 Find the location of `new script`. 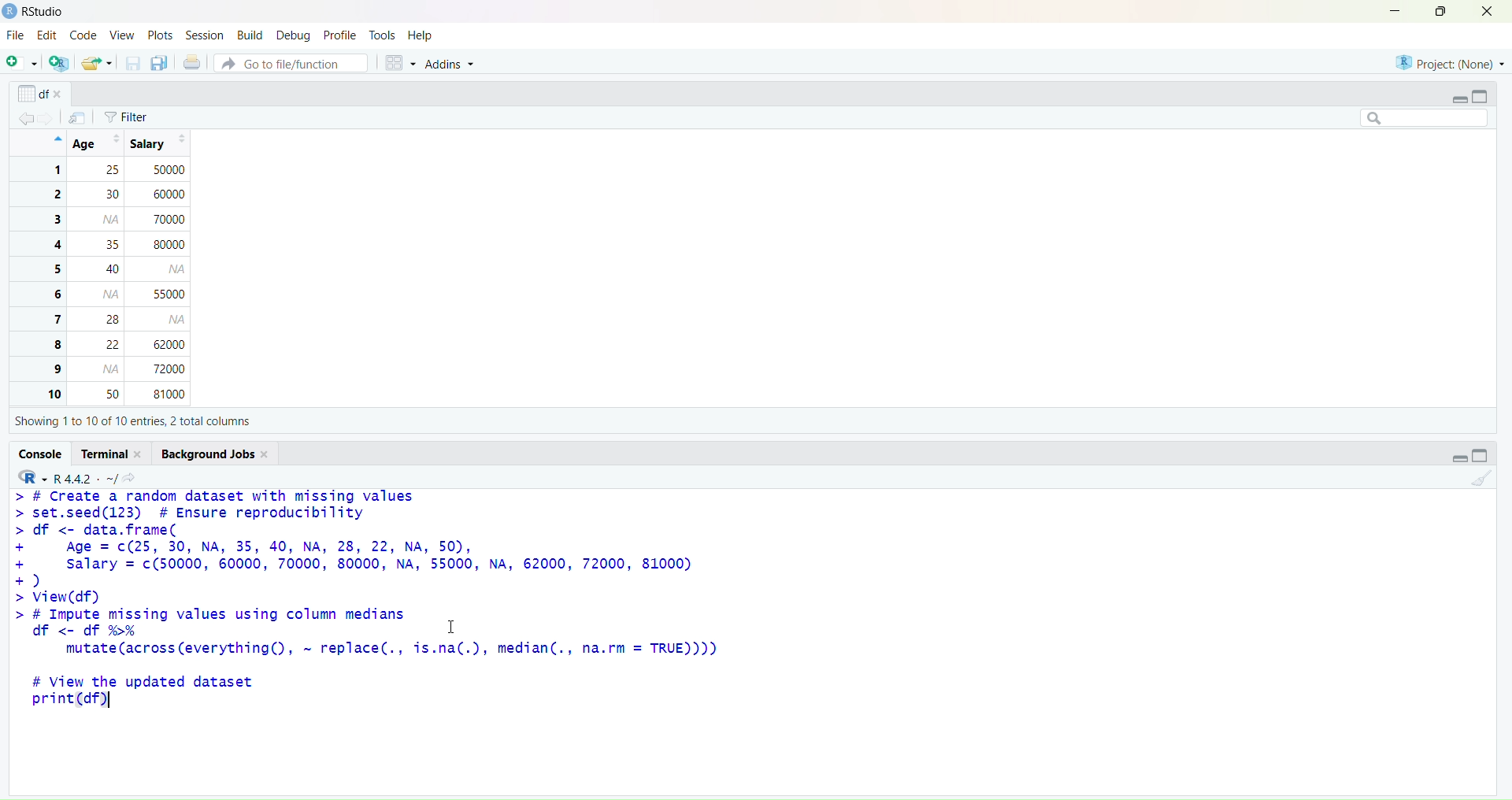

new script is located at coordinates (20, 65).